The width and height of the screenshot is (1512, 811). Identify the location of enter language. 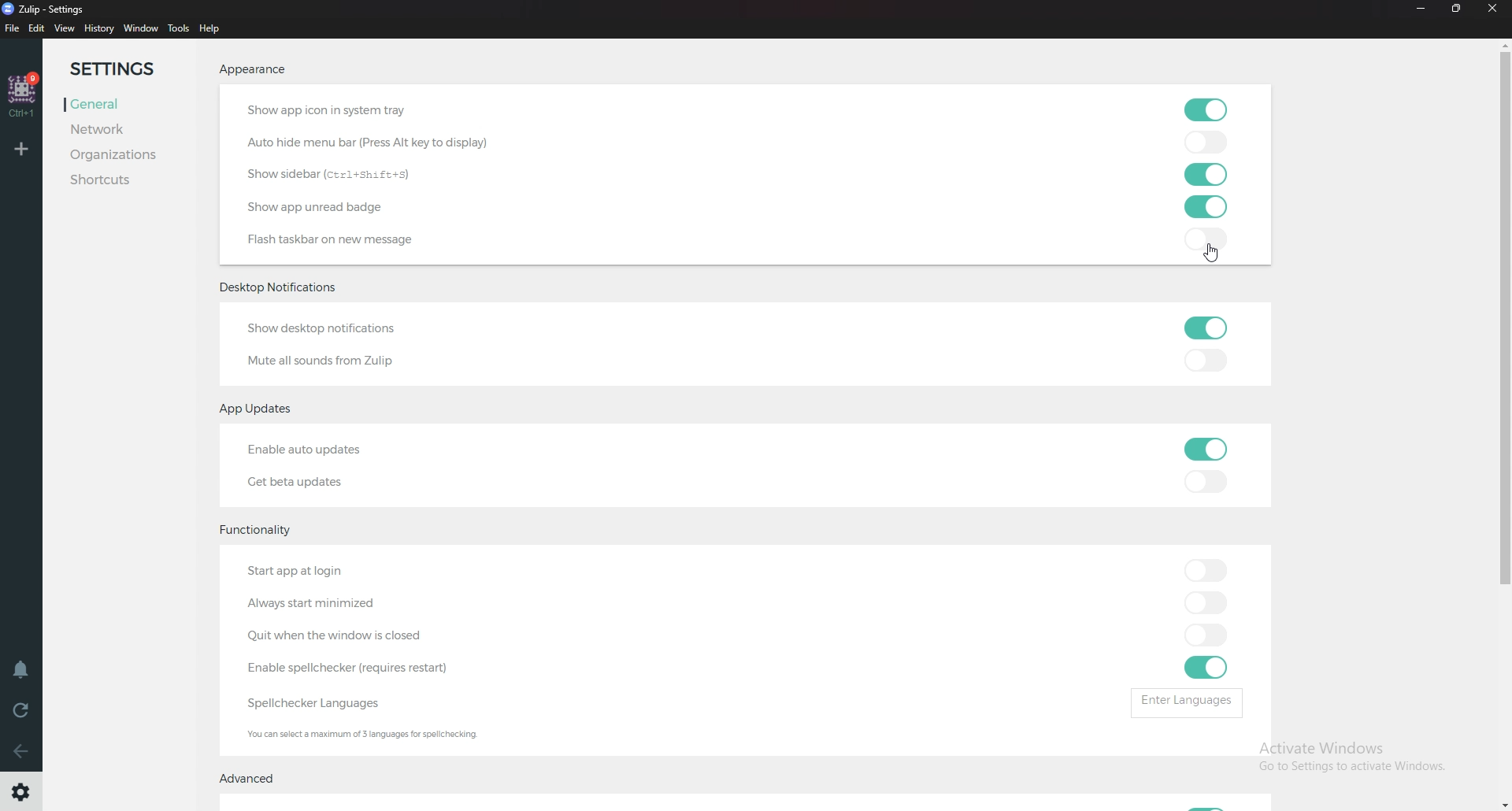
(1191, 702).